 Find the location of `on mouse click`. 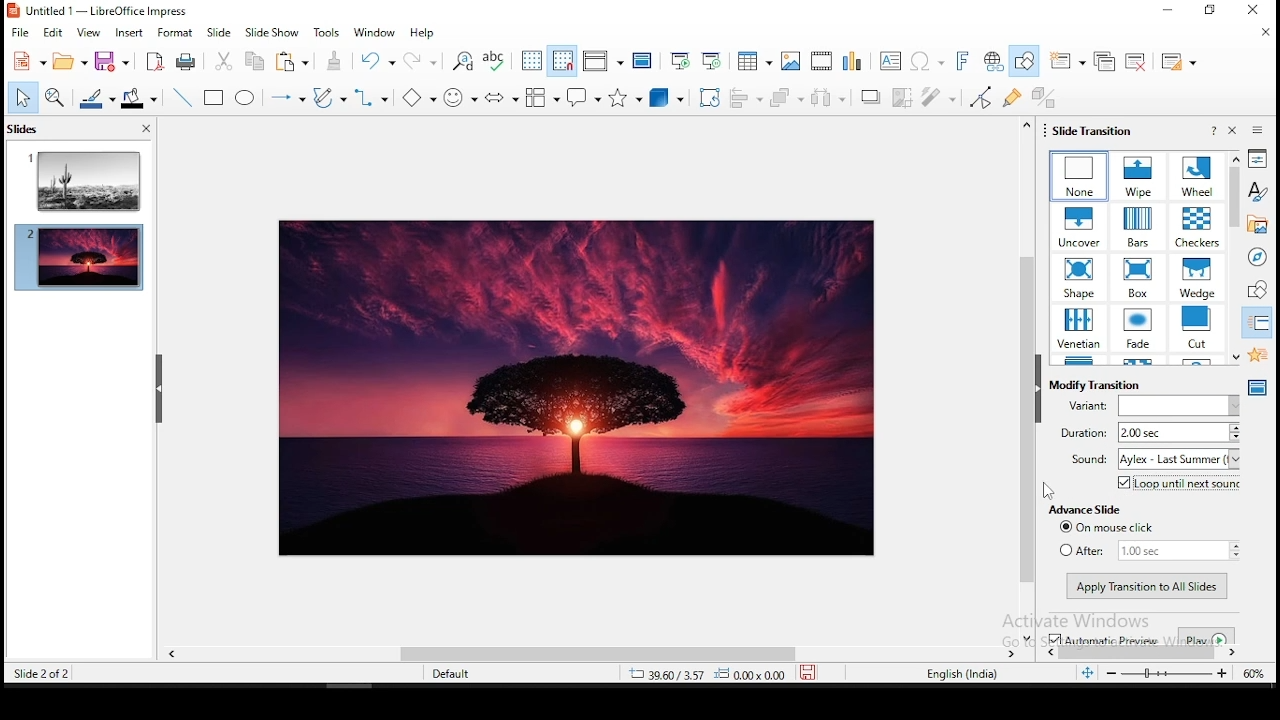

on mouse click is located at coordinates (1104, 528).